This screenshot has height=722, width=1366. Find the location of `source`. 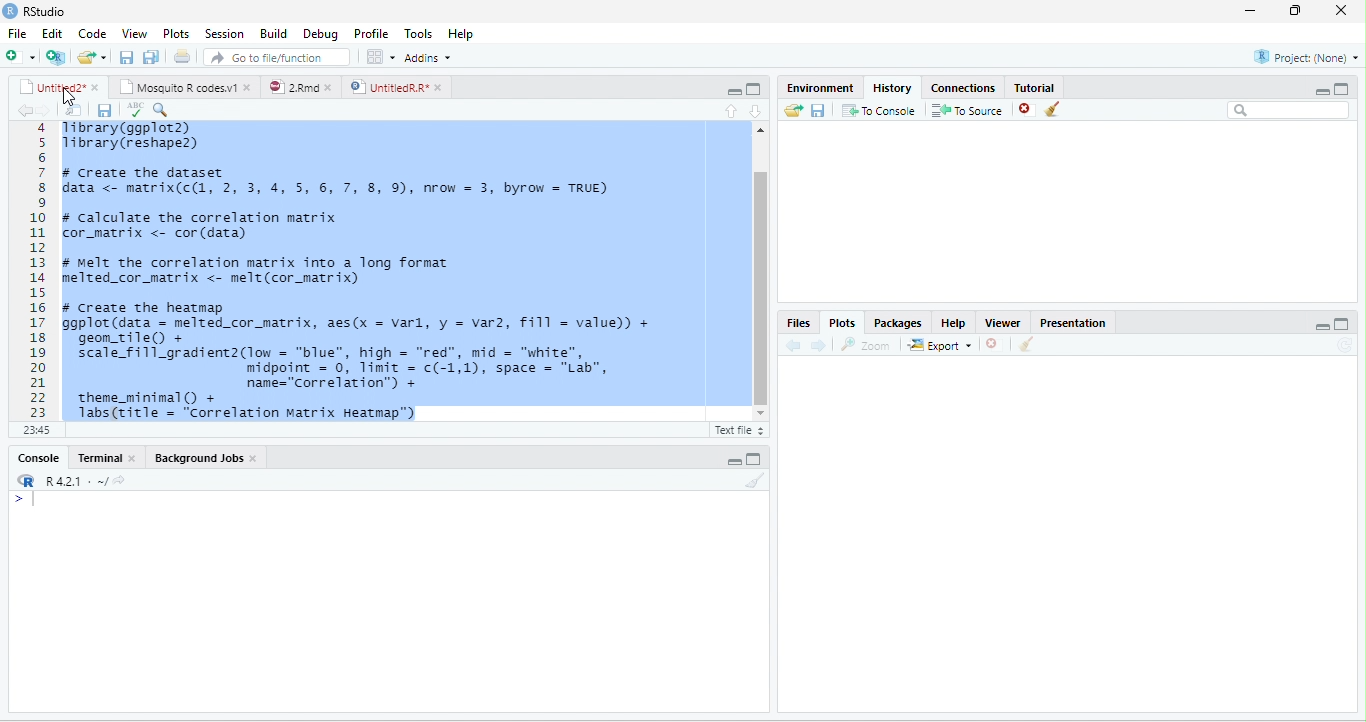

source is located at coordinates (724, 110).